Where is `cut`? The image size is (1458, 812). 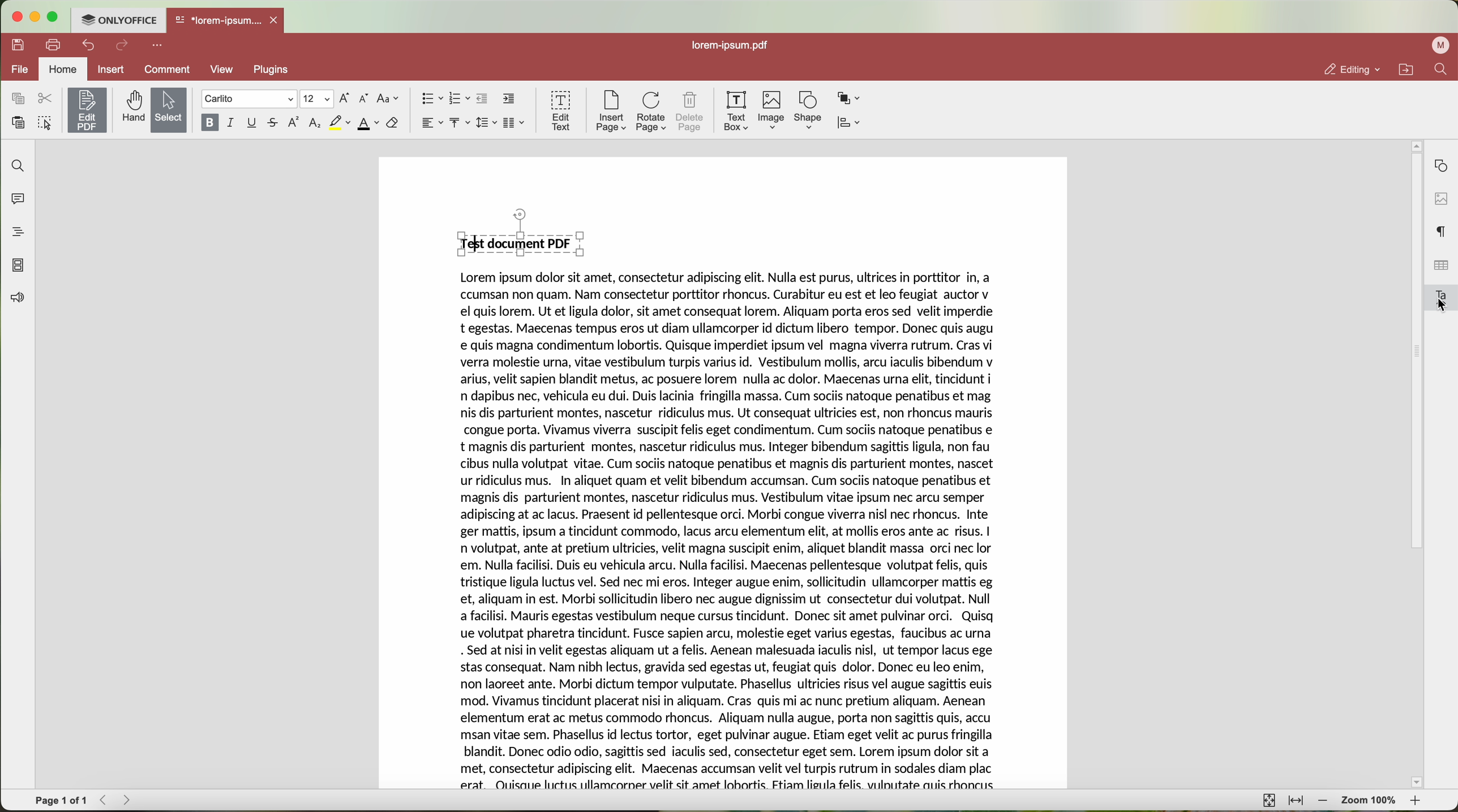
cut is located at coordinates (44, 97).